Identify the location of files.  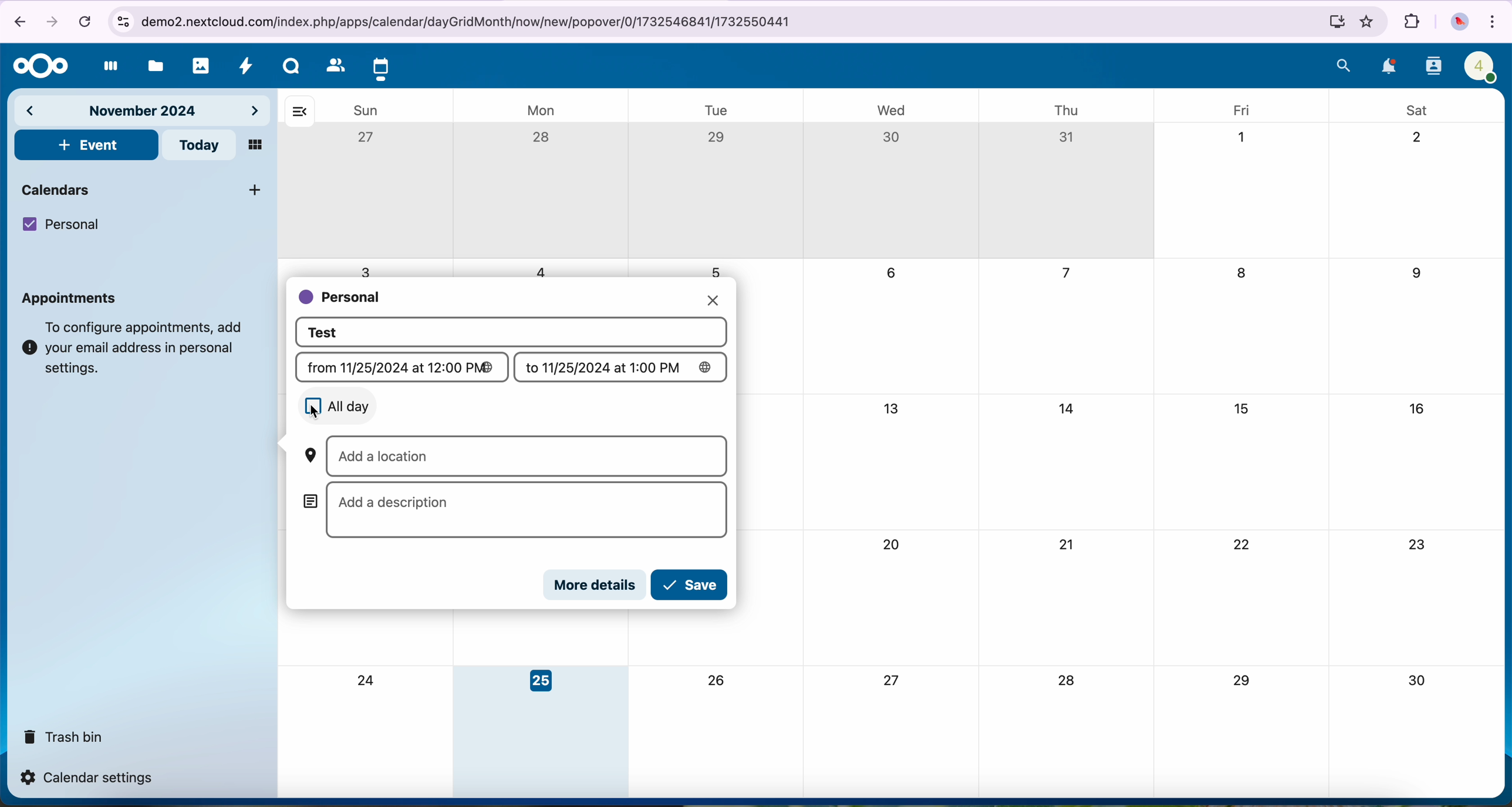
(153, 66).